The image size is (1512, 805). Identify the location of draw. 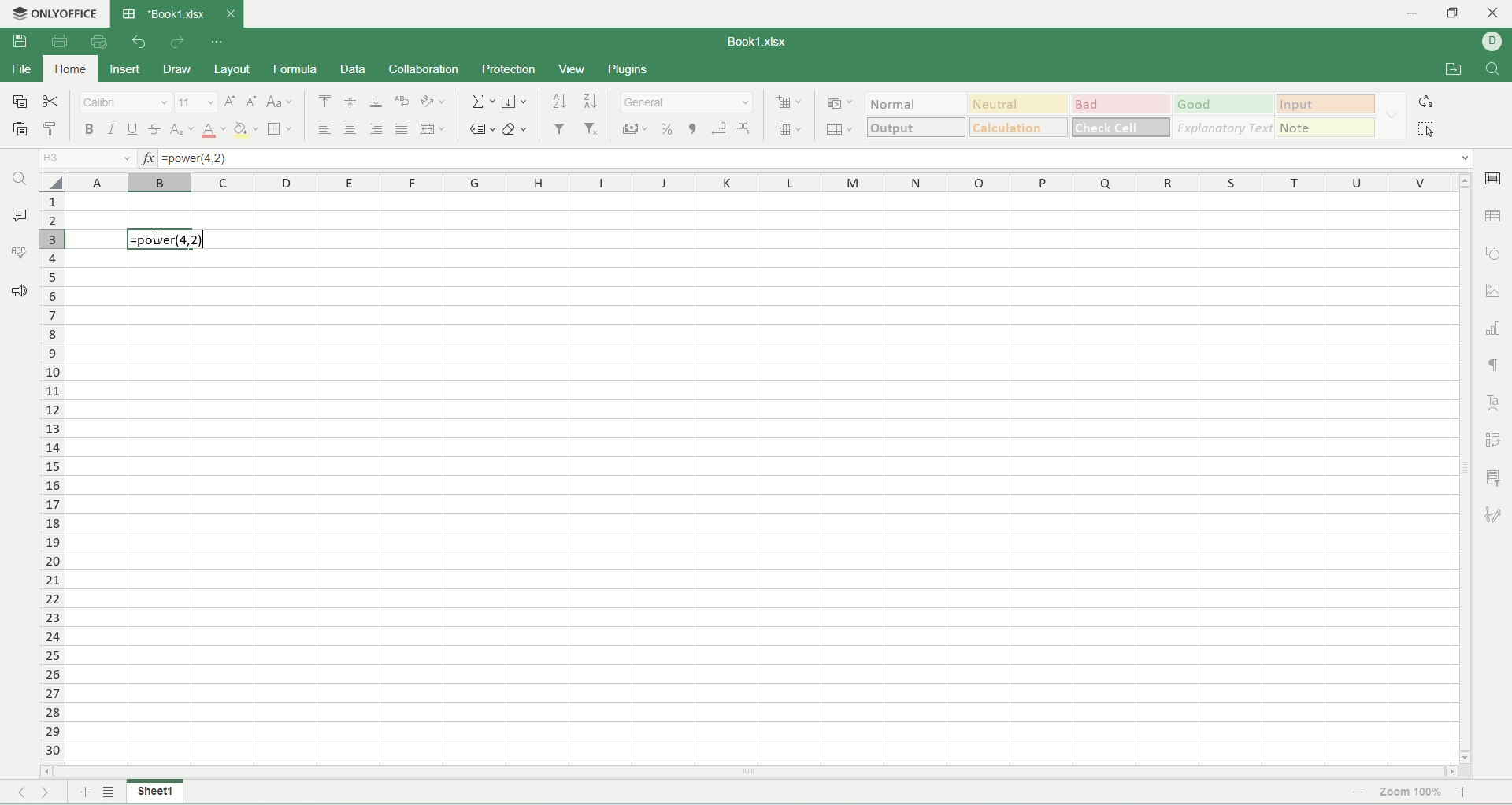
(176, 69).